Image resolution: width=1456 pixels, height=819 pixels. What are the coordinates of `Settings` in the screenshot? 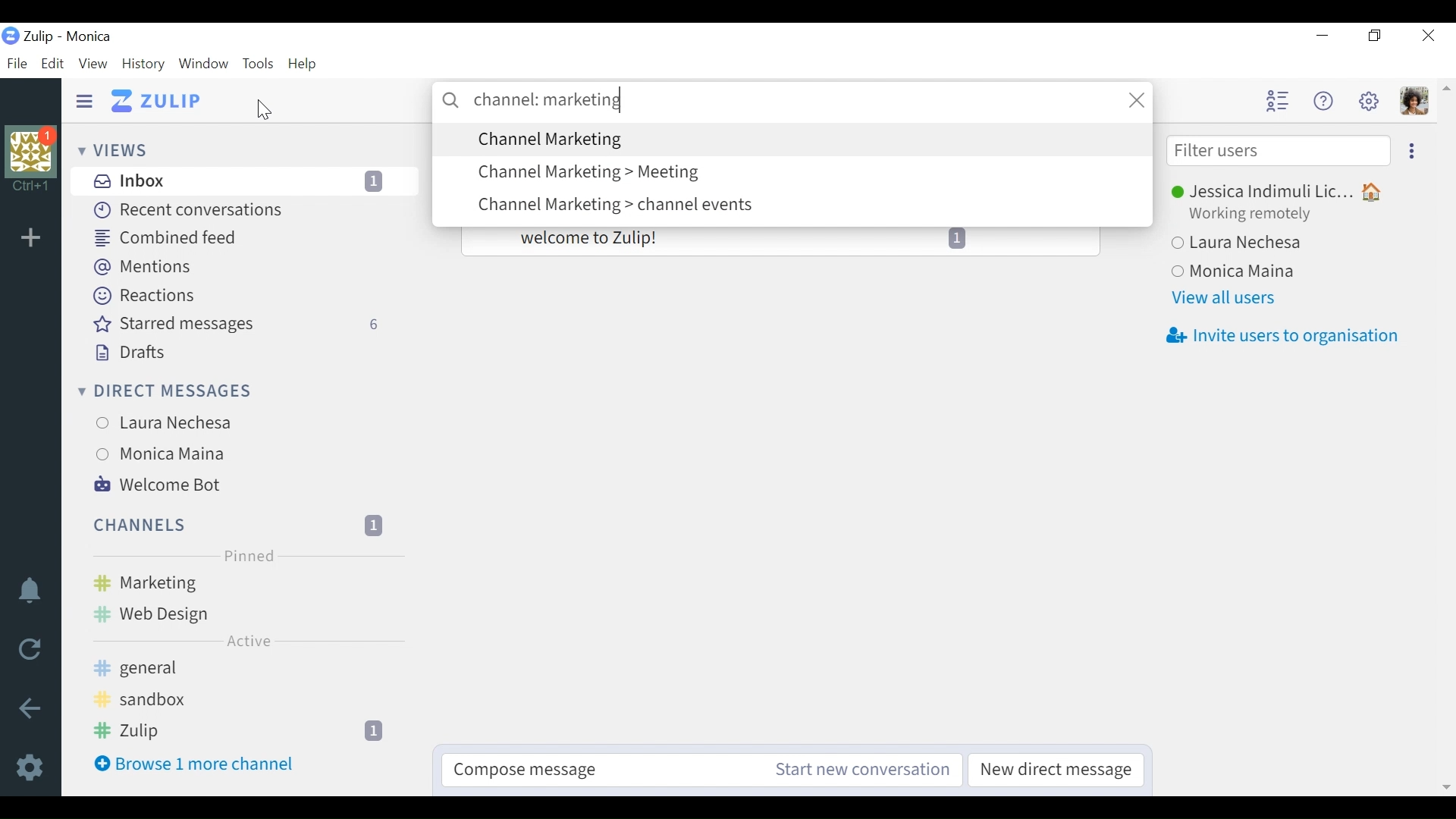 It's located at (1371, 100).